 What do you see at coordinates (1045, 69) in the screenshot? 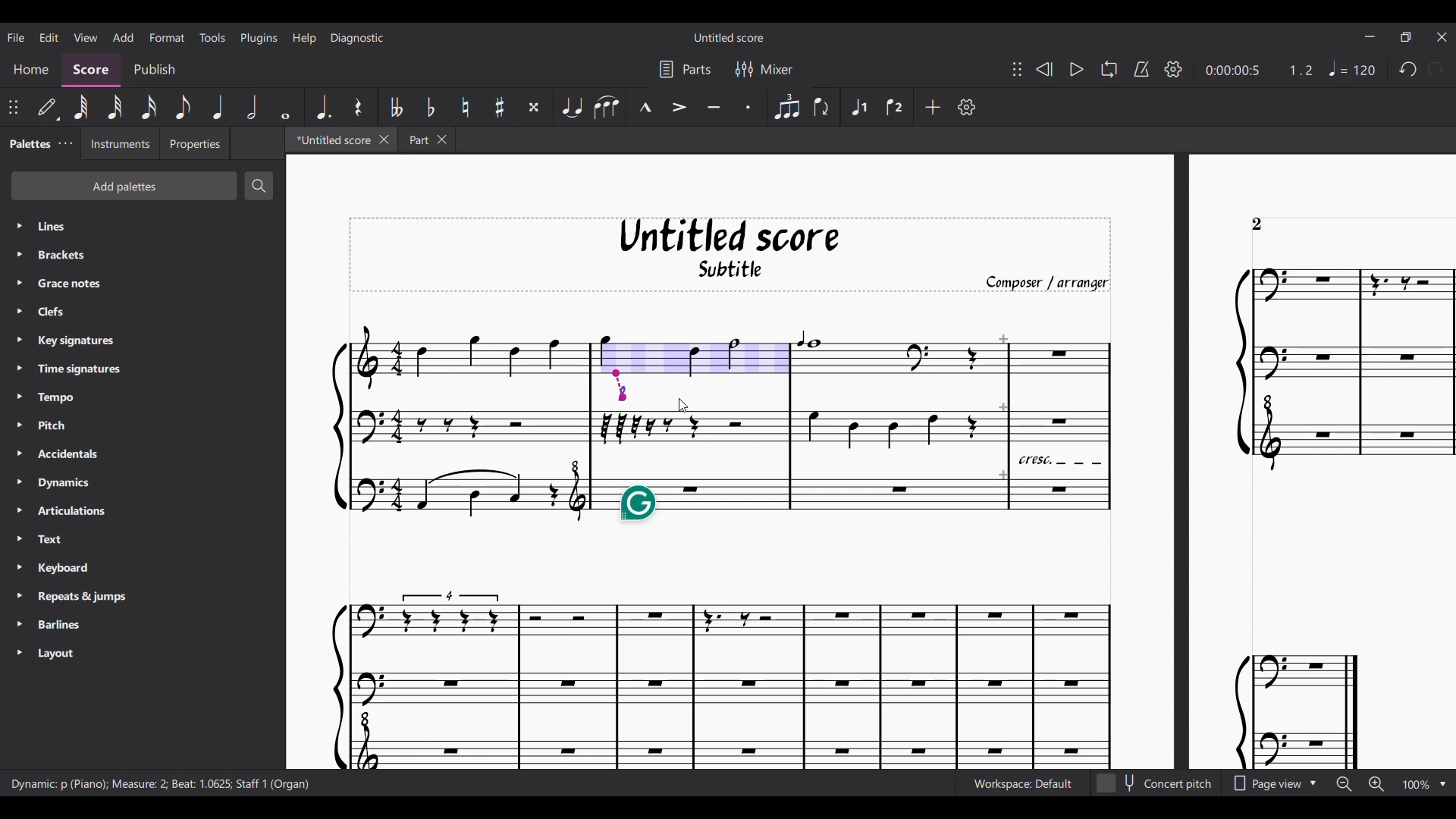
I see `Rewind` at bounding box center [1045, 69].